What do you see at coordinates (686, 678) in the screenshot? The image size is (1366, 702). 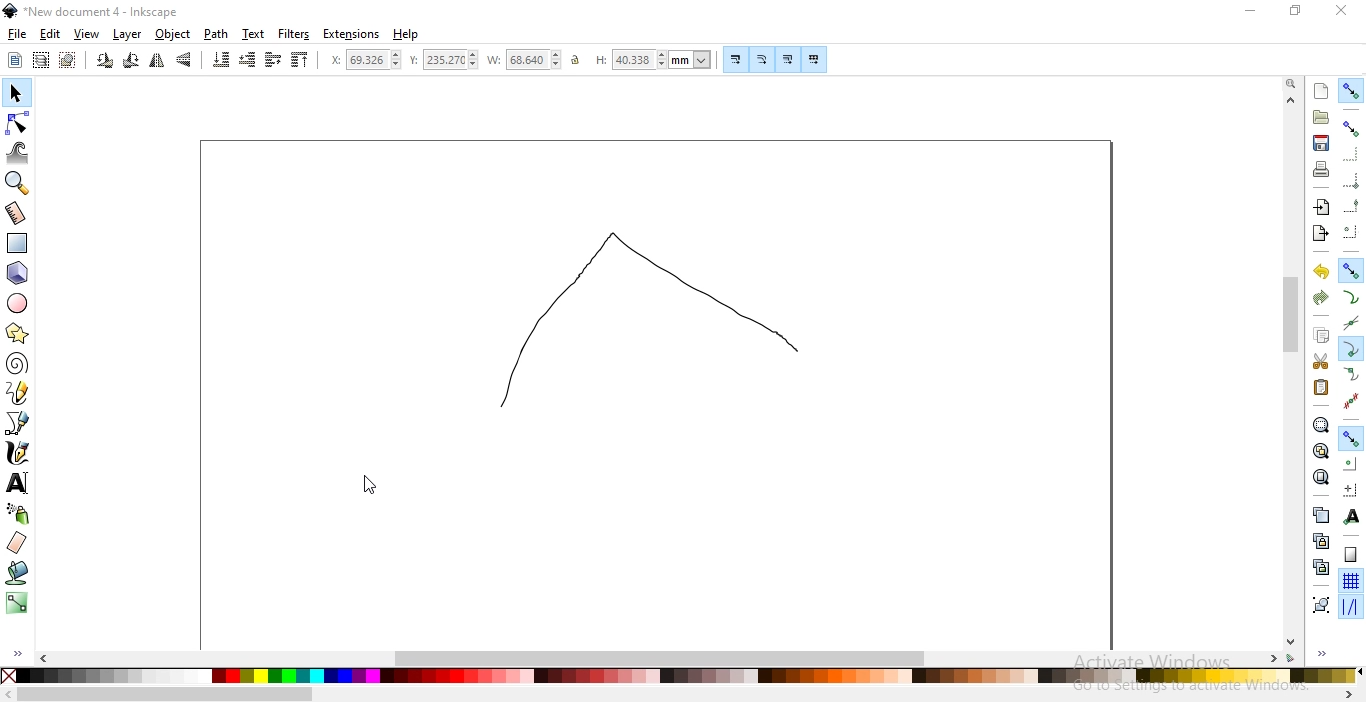 I see `color` at bounding box center [686, 678].